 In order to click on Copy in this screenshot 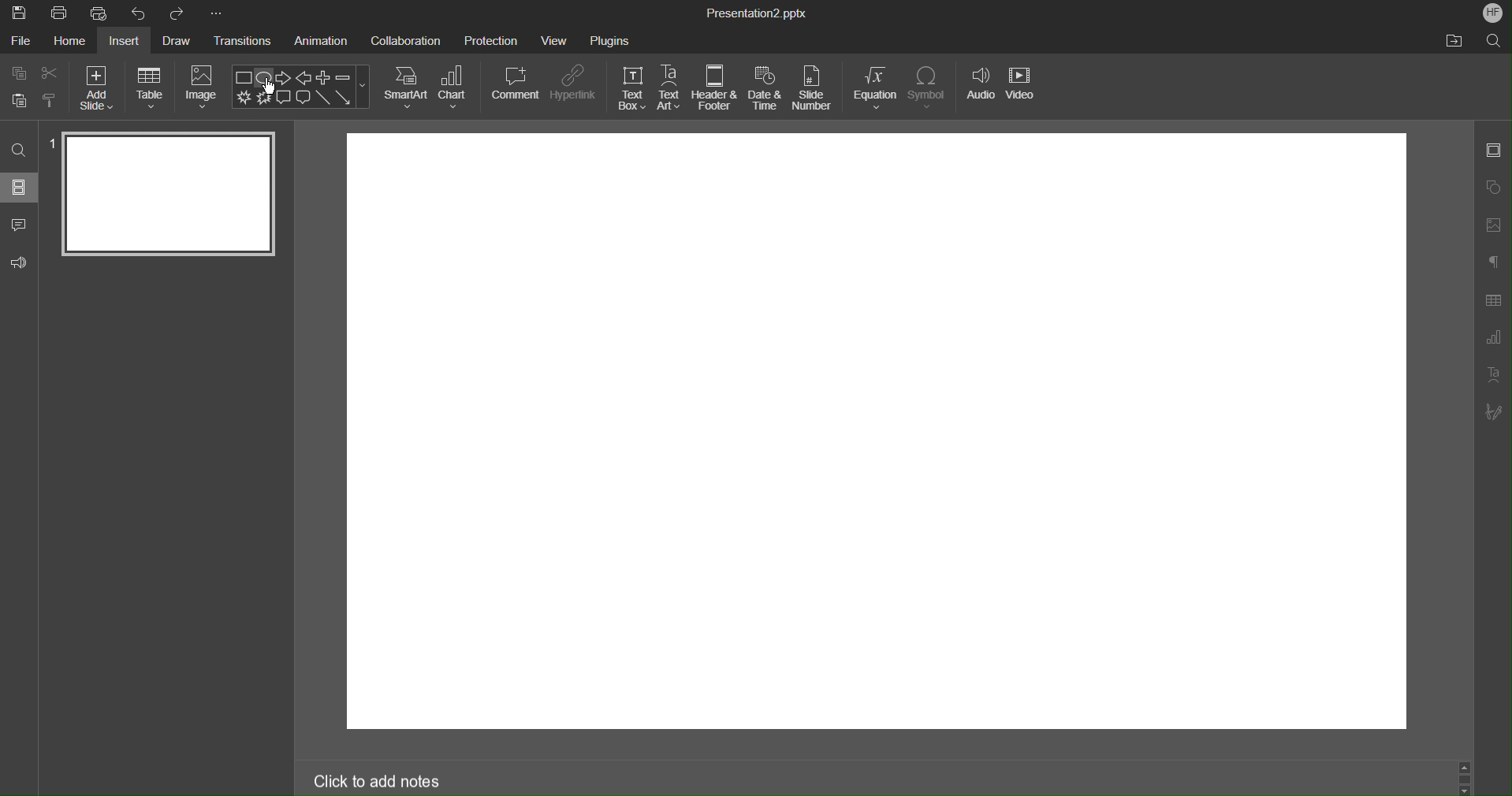, I will do `click(17, 73)`.